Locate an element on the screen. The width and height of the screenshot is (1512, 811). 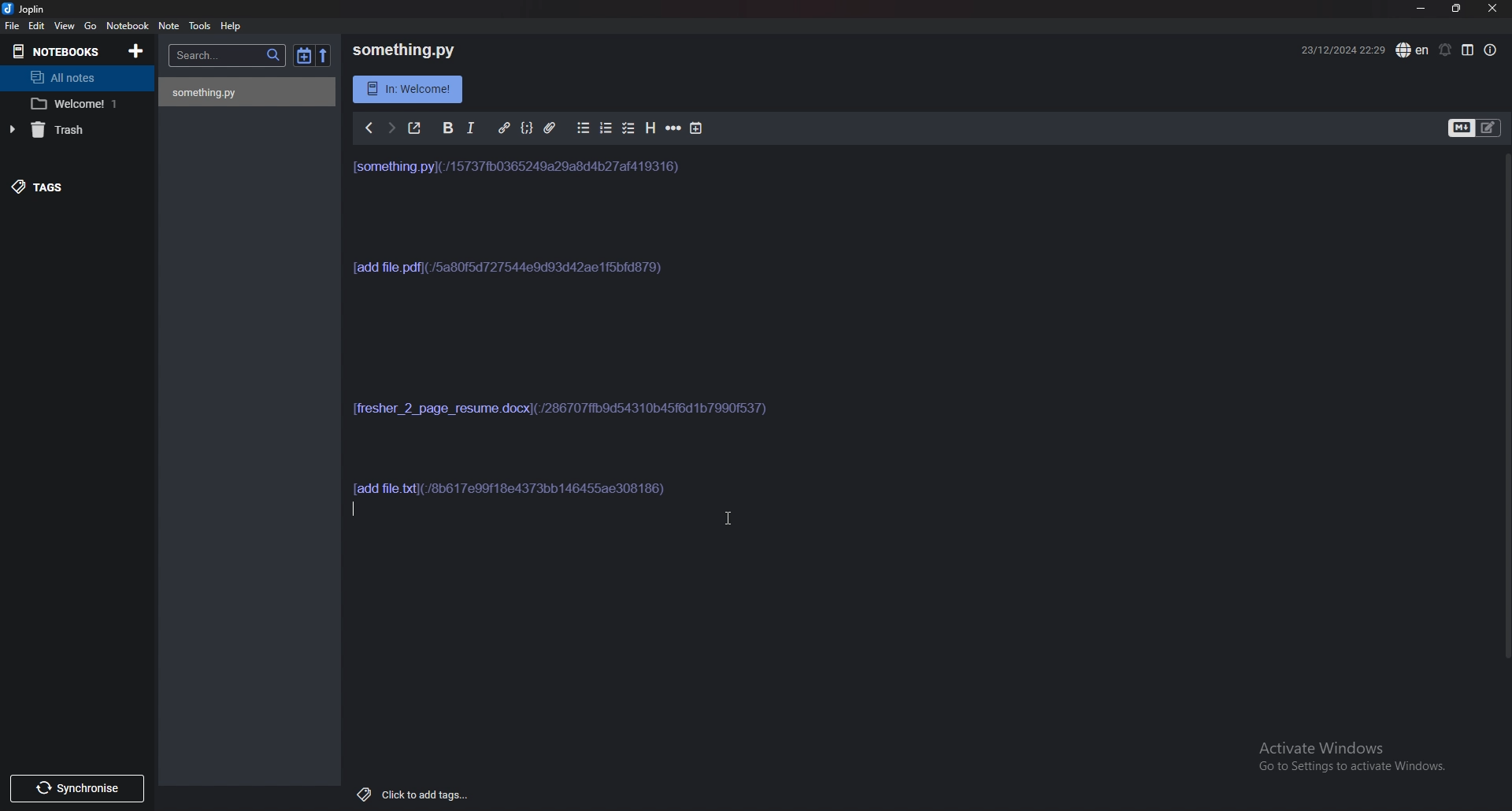
Resize is located at coordinates (1458, 9).